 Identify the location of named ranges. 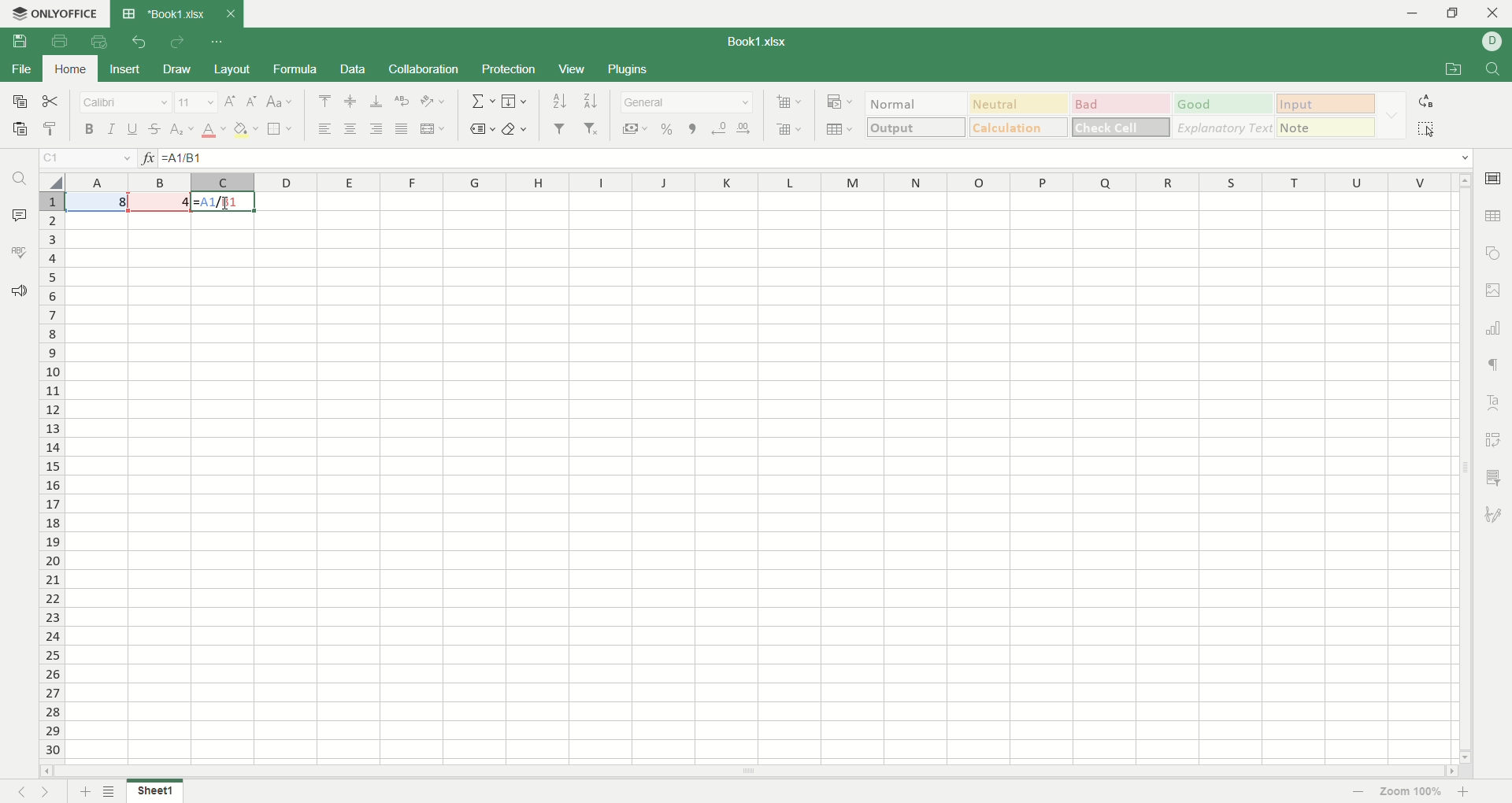
(481, 129).